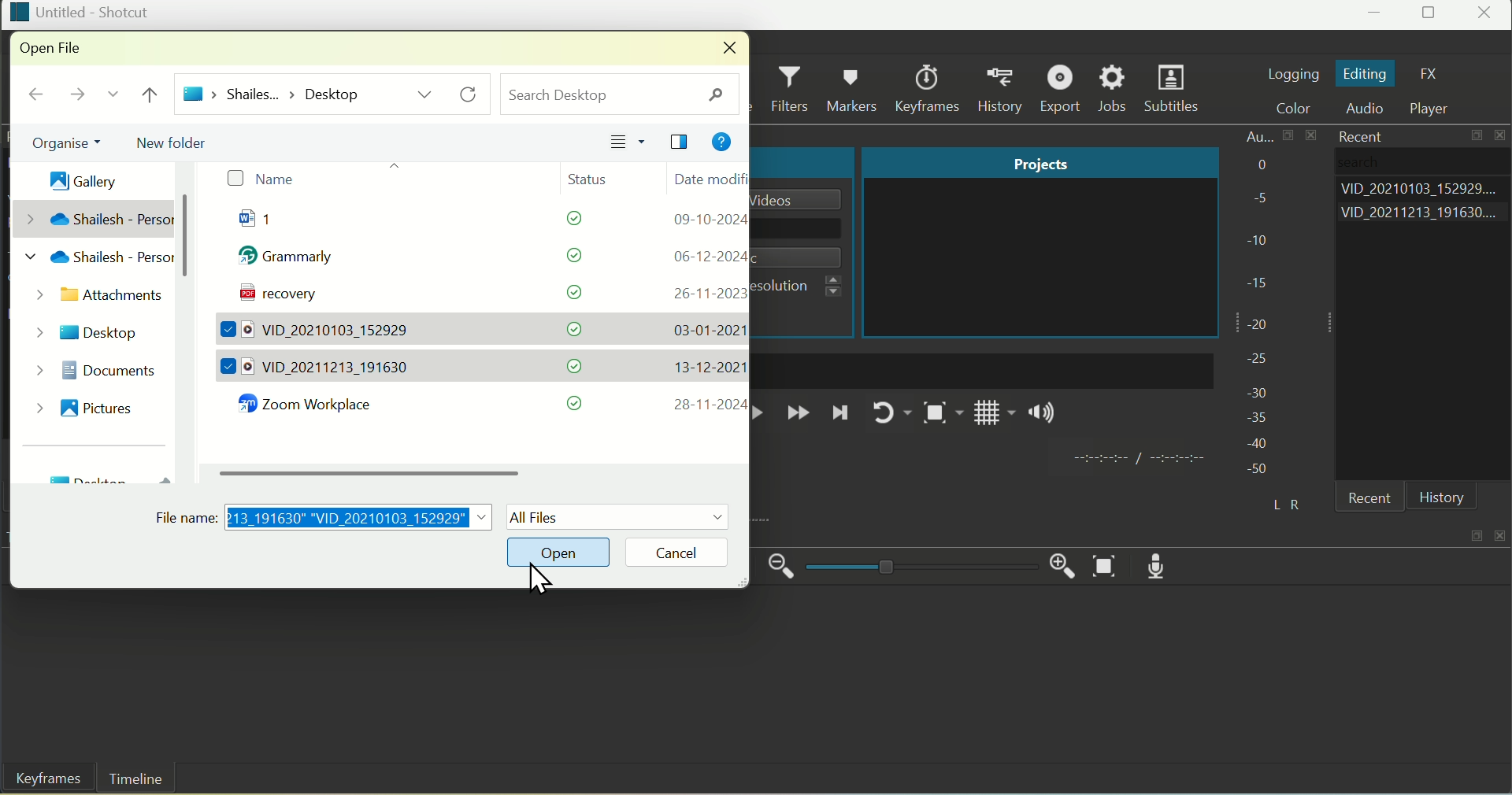 The width and height of the screenshot is (1512, 795). Describe the element at coordinates (1432, 74) in the screenshot. I see `` at that location.